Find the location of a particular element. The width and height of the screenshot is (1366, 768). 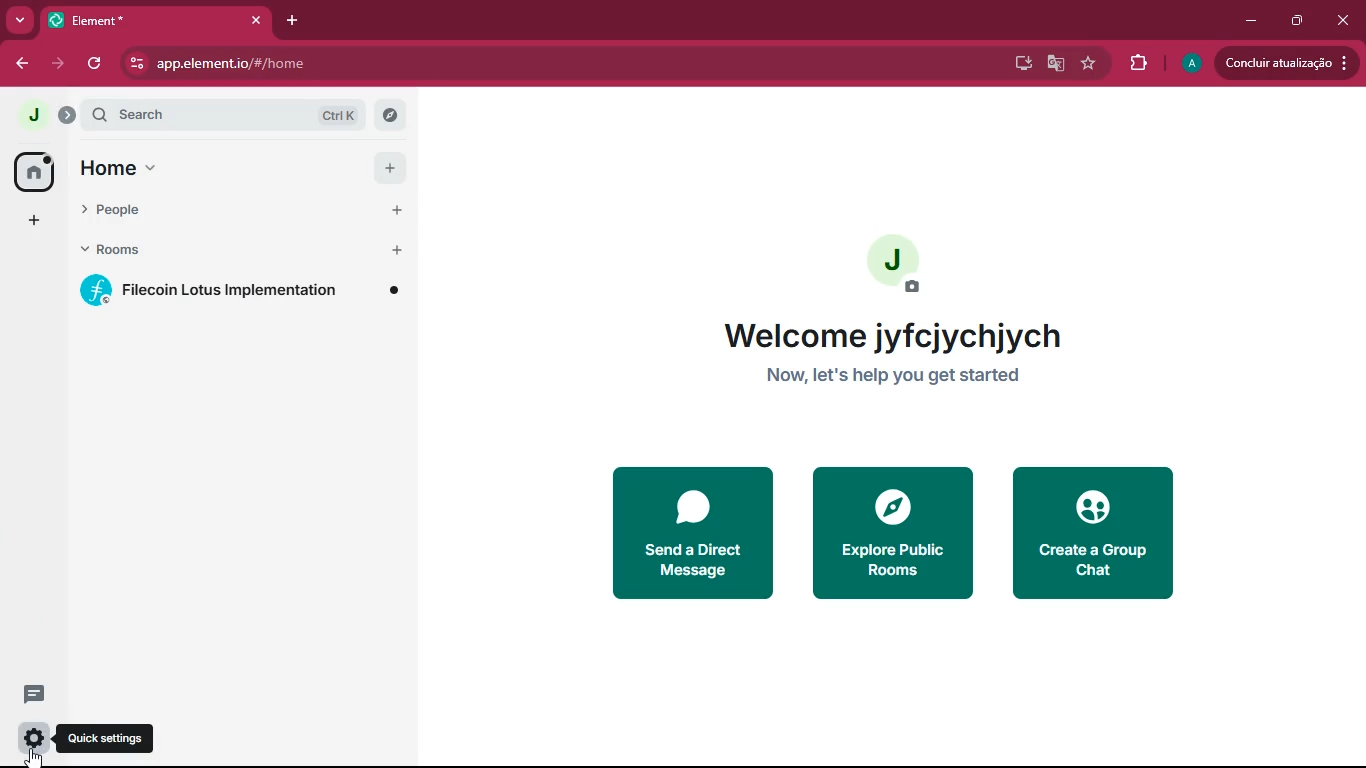

google translate is located at coordinates (1056, 63).